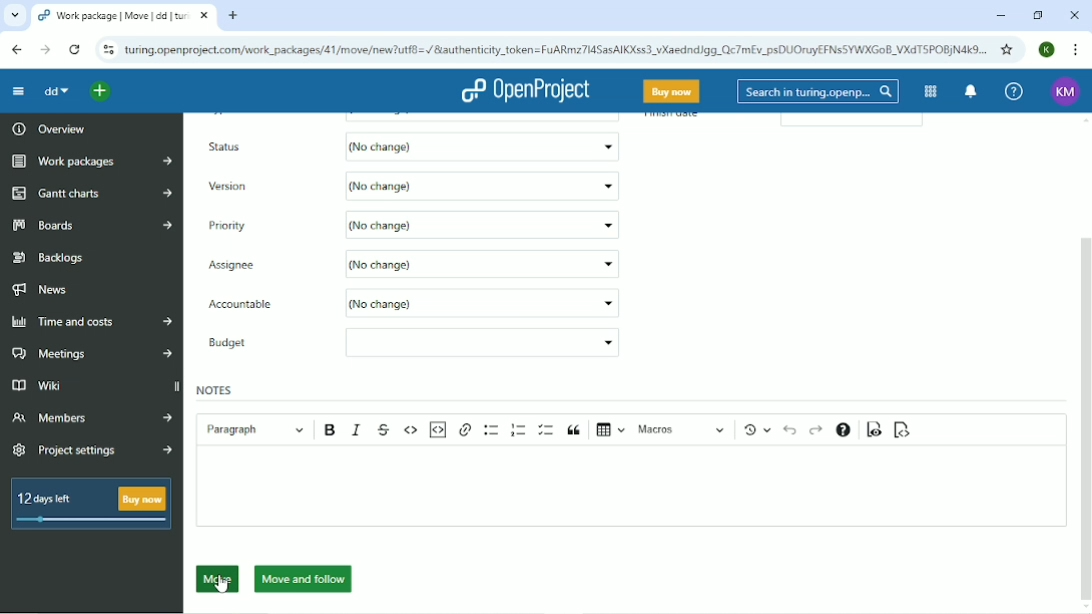 This screenshot has width=1092, height=614. What do you see at coordinates (233, 15) in the screenshot?
I see `New tab` at bounding box center [233, 15].